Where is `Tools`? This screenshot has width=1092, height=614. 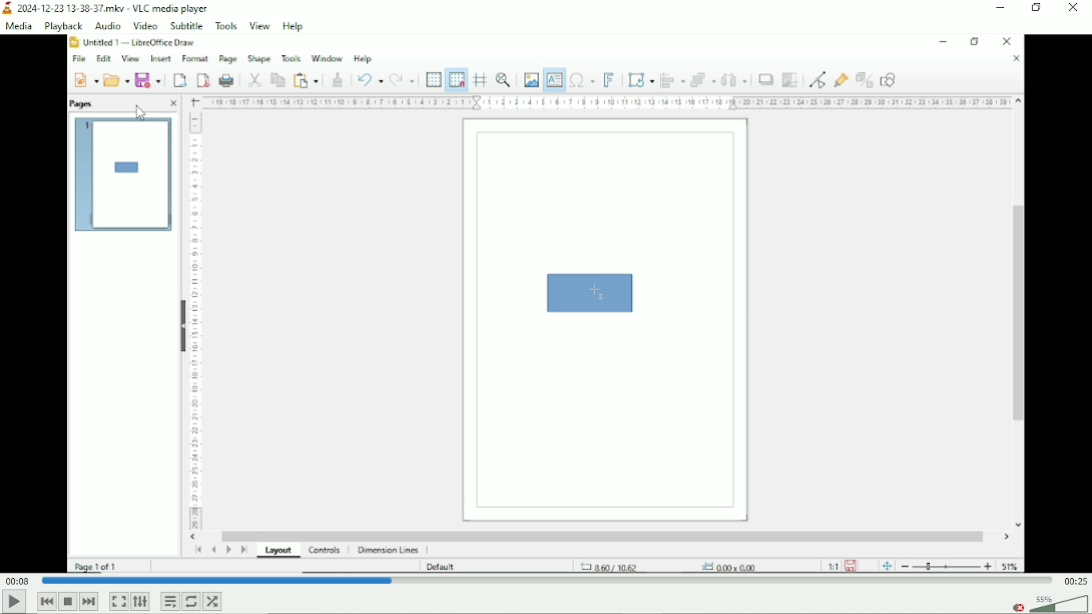 Tools is located at coordinates (226, 25).